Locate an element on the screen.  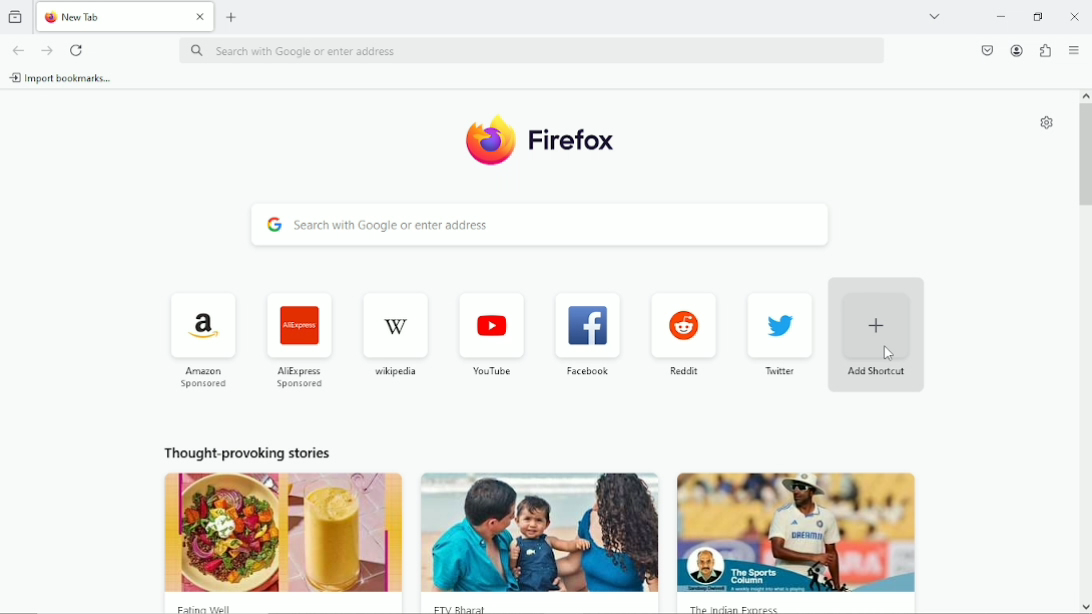
vertical scrollbar is located at coordinates (1085, 154).